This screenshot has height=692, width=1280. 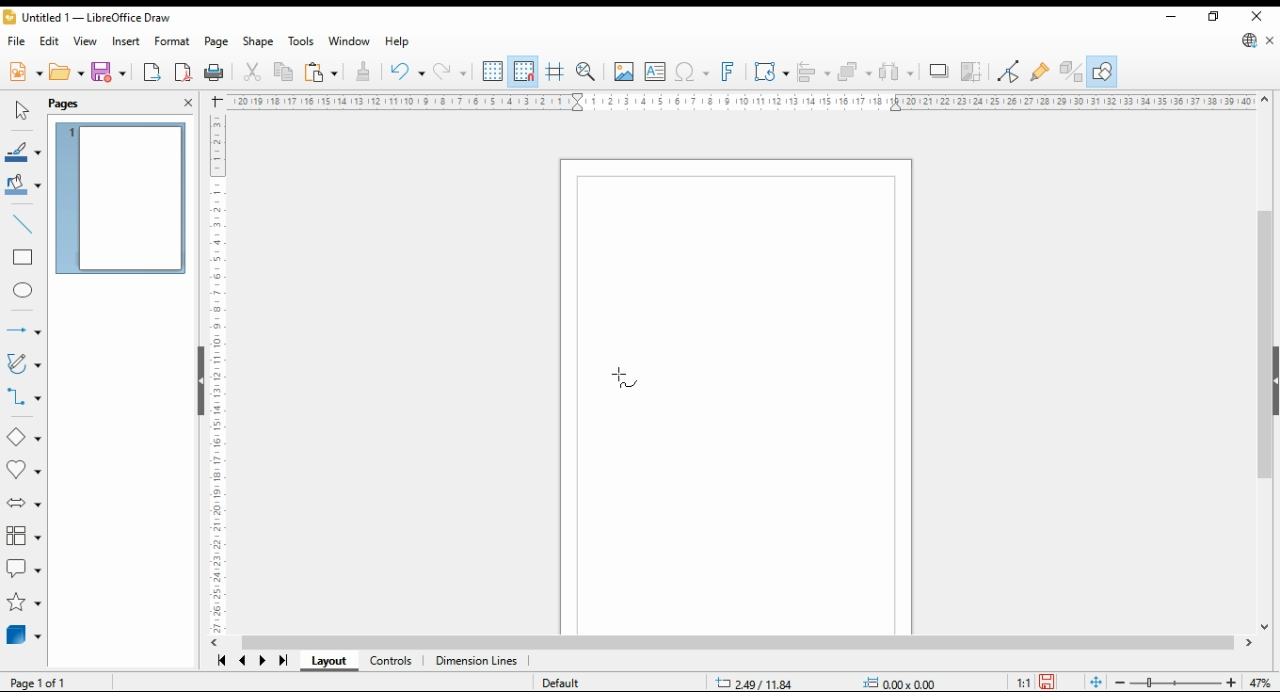 What do you see at coordinates (215, 73) in the screenshot?
I see `print` at bounding box center [215, 73].